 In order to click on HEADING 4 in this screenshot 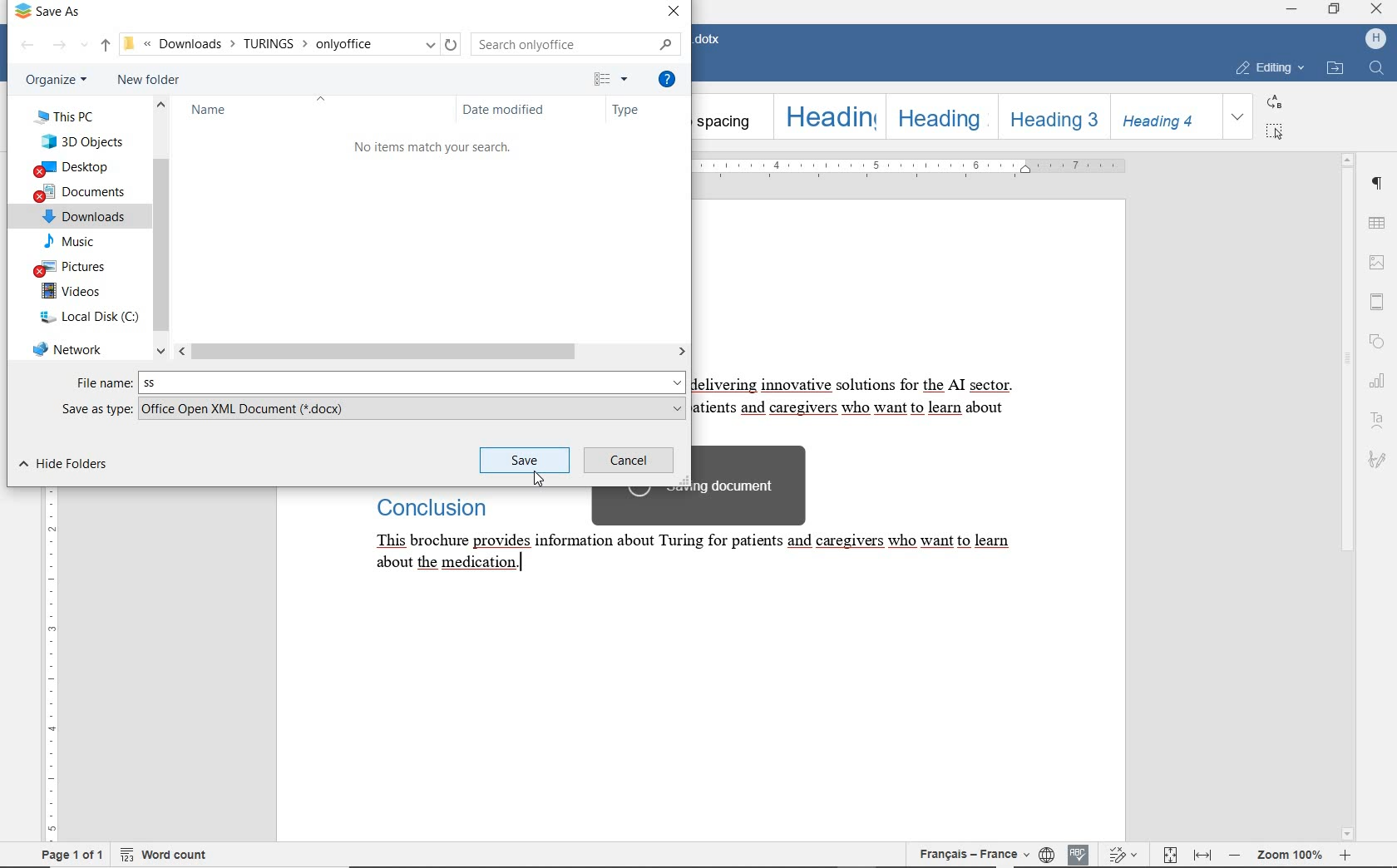, I will do `click(1163, 117)`.